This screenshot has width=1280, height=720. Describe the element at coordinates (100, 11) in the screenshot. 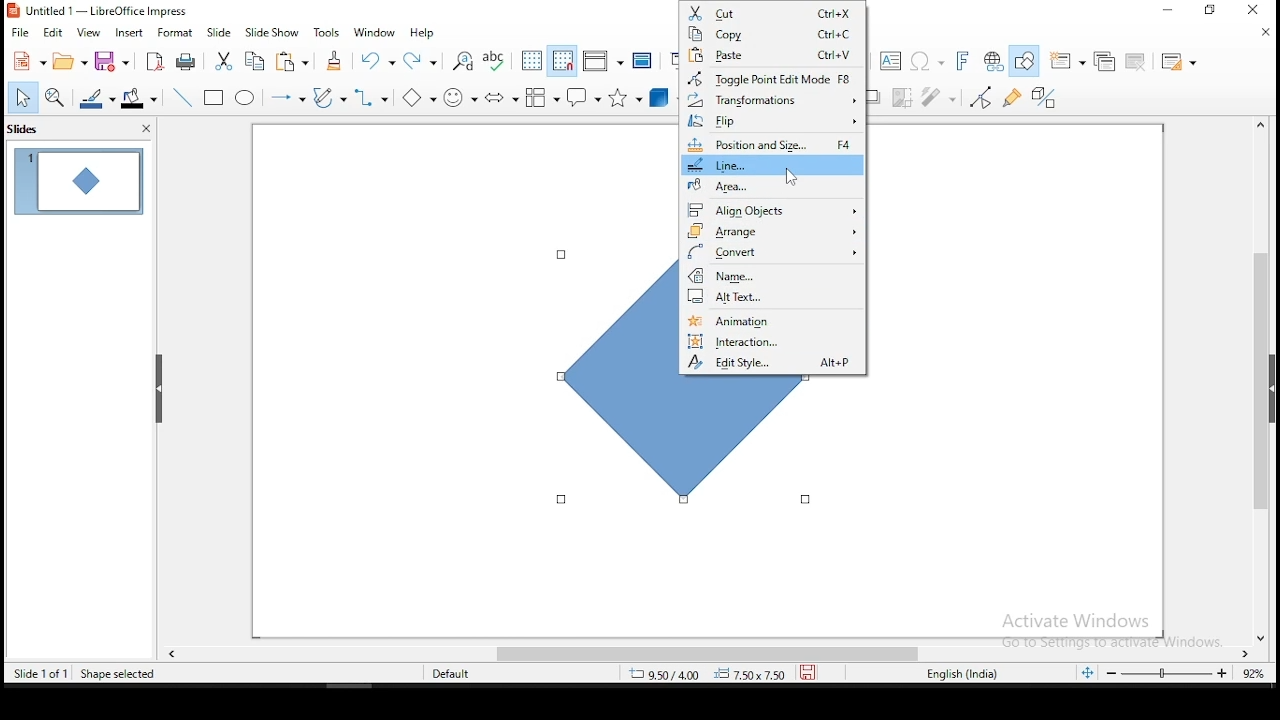

I see `icon and filename` at that location.